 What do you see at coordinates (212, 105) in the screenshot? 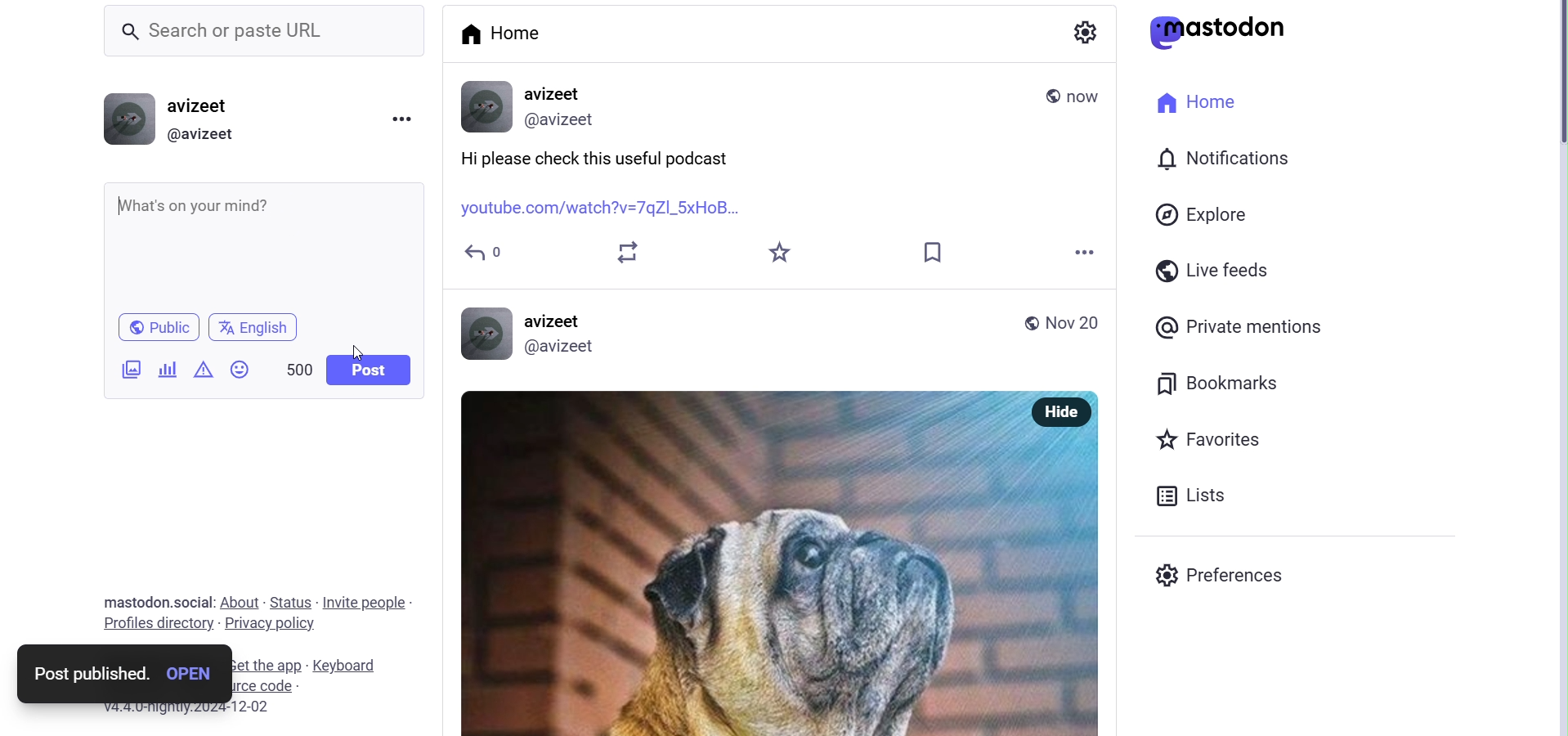
I see `username` at bounding box center [212, 105].